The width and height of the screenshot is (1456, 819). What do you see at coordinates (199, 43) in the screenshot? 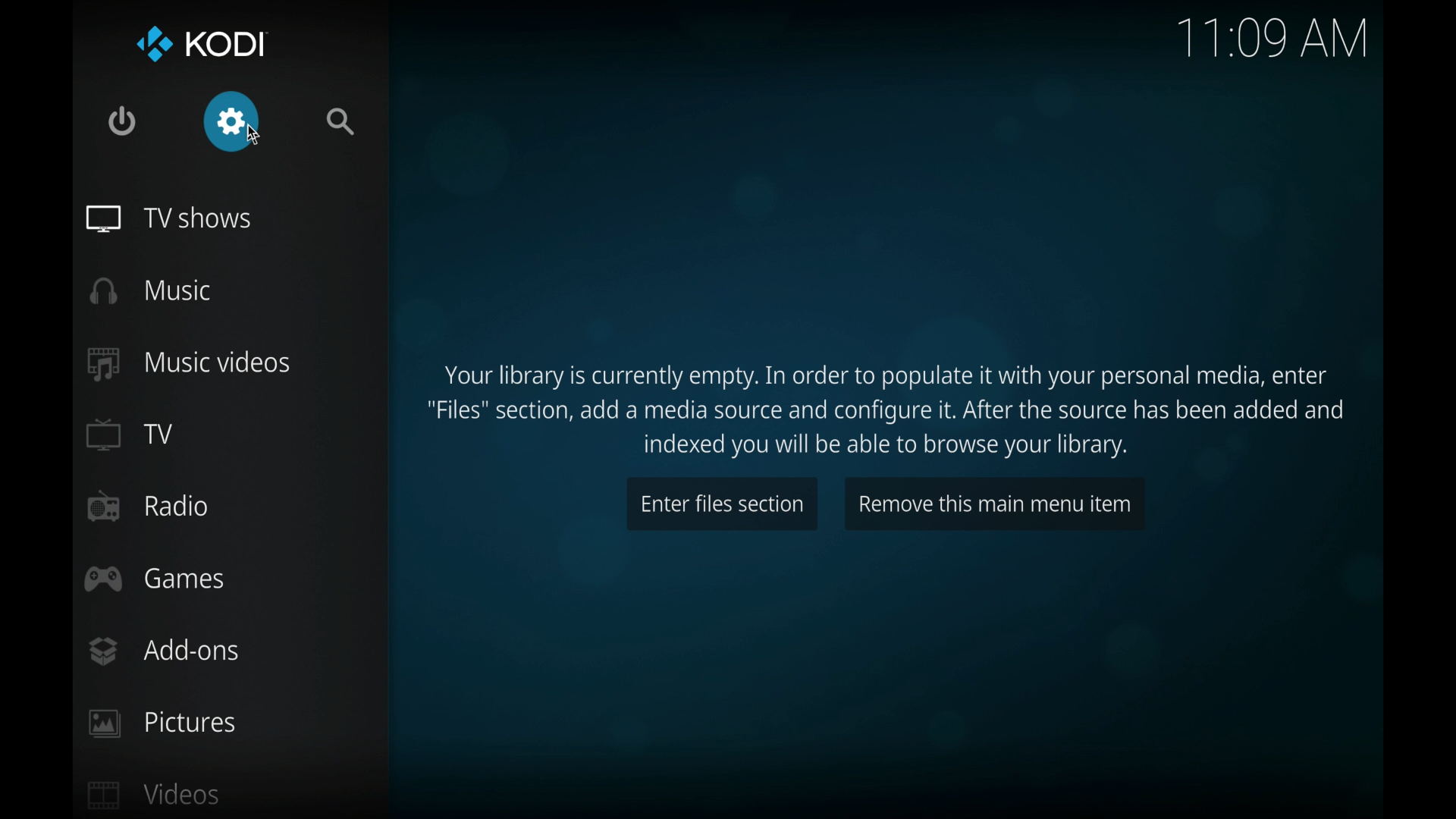
I see `kodi` at bounding box center [199, 43].